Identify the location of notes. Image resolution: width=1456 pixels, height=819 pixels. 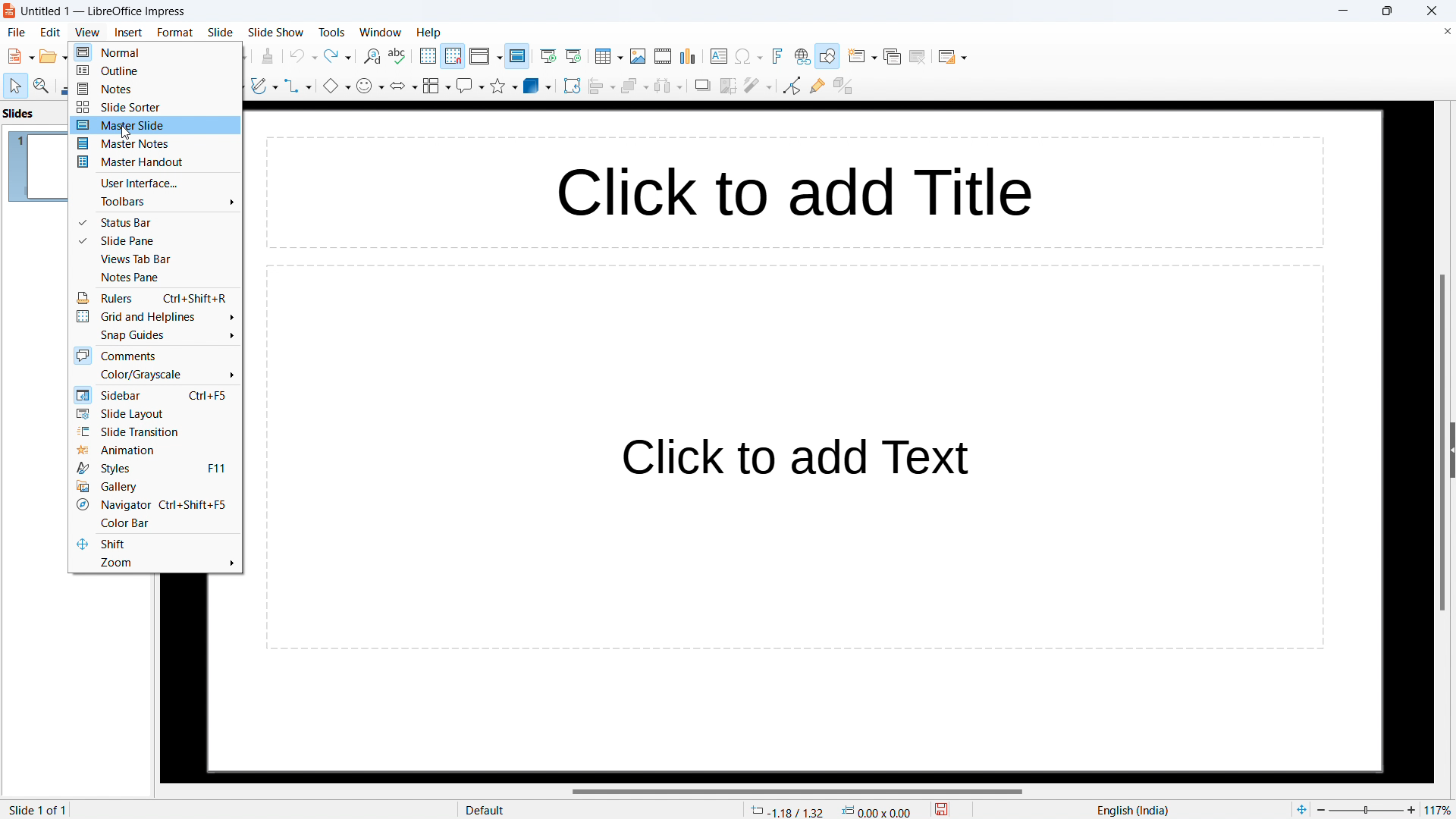
(155, 89).